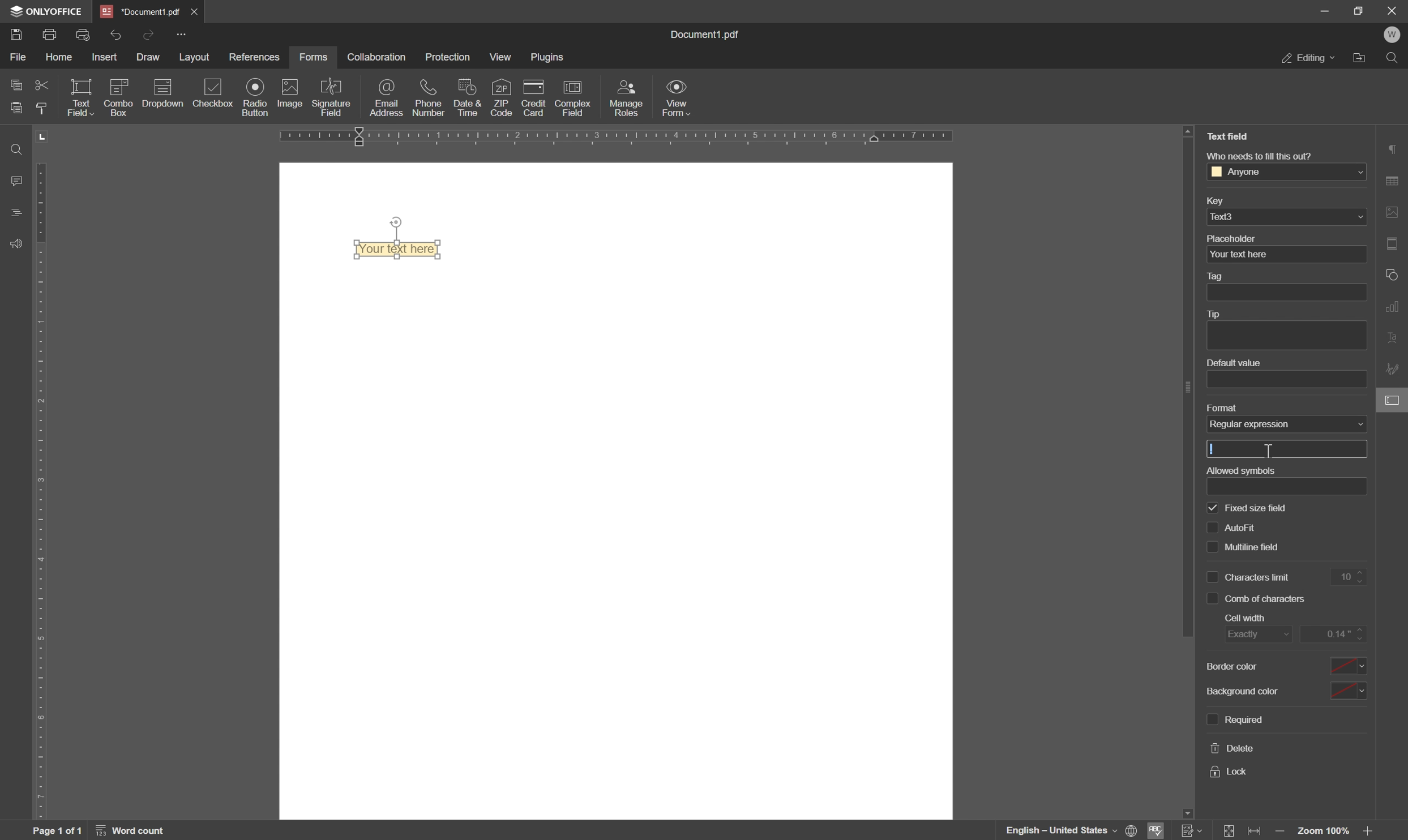 Image resolution: width=1408 pixels, height=840 pixels. I want to click on credit card, so click(534, 98).